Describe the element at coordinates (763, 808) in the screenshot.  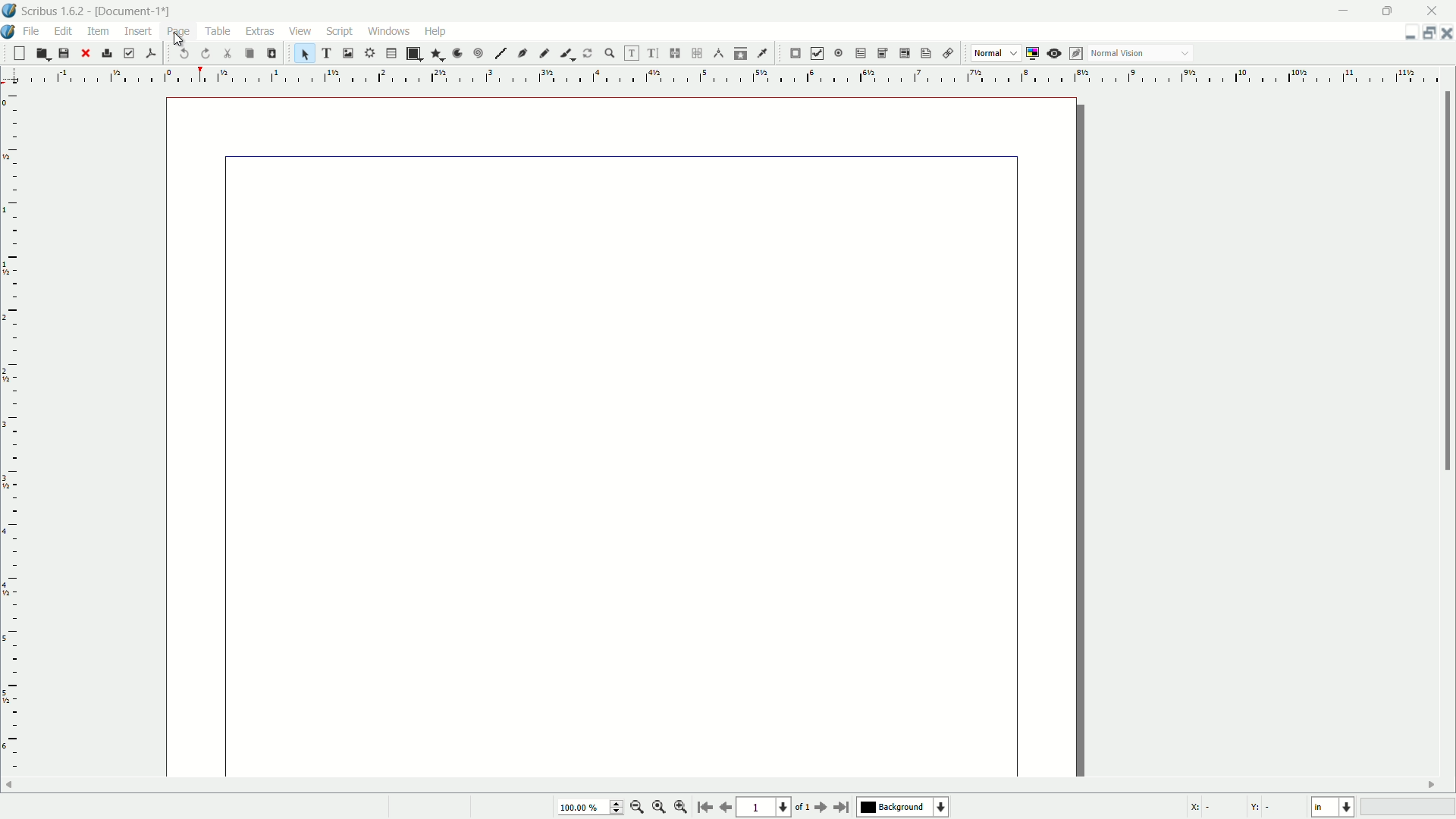
I see `current page number` at that location.